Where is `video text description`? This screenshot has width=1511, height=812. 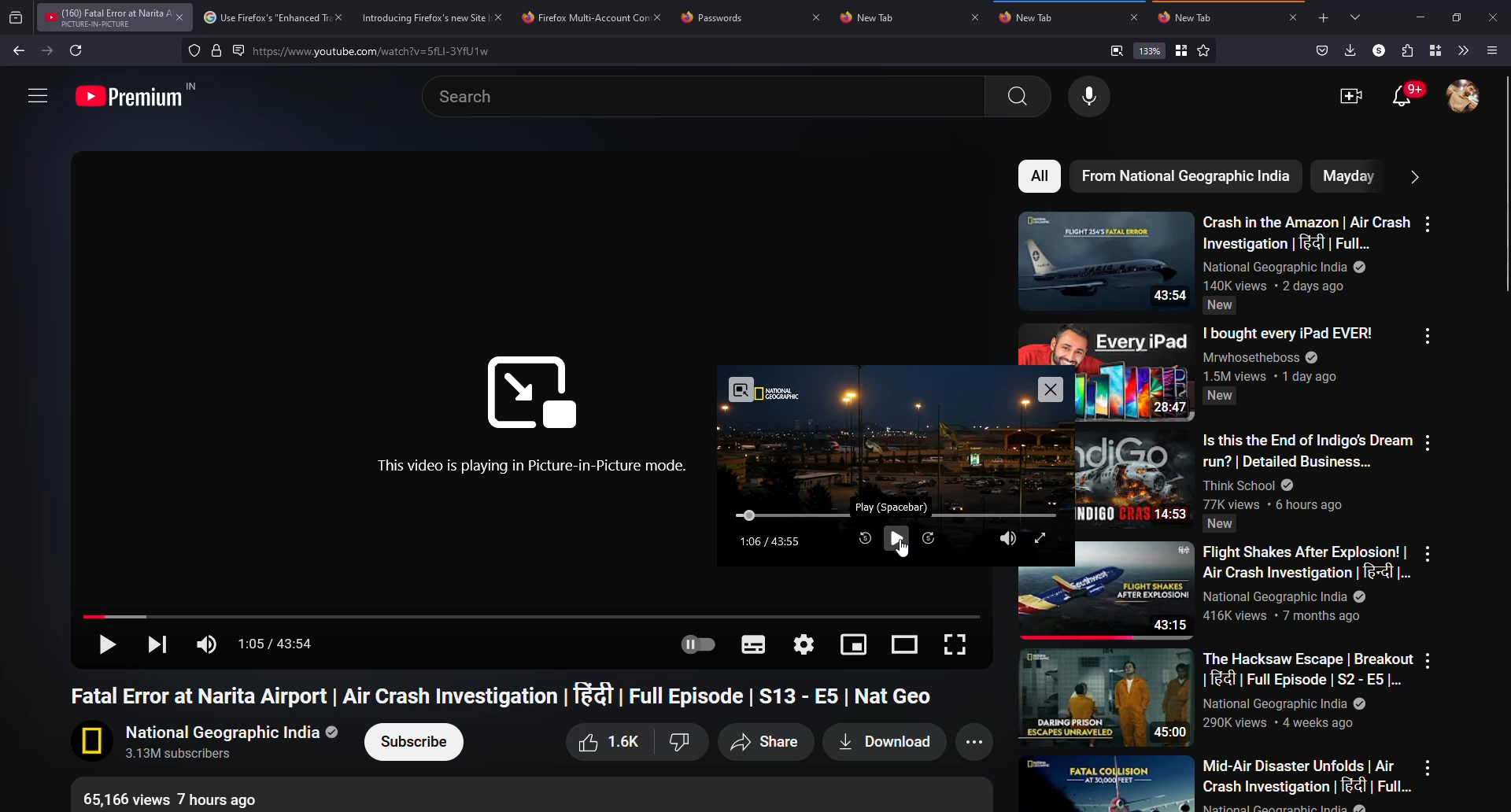 video text description is located at coordinates (1309, 784).